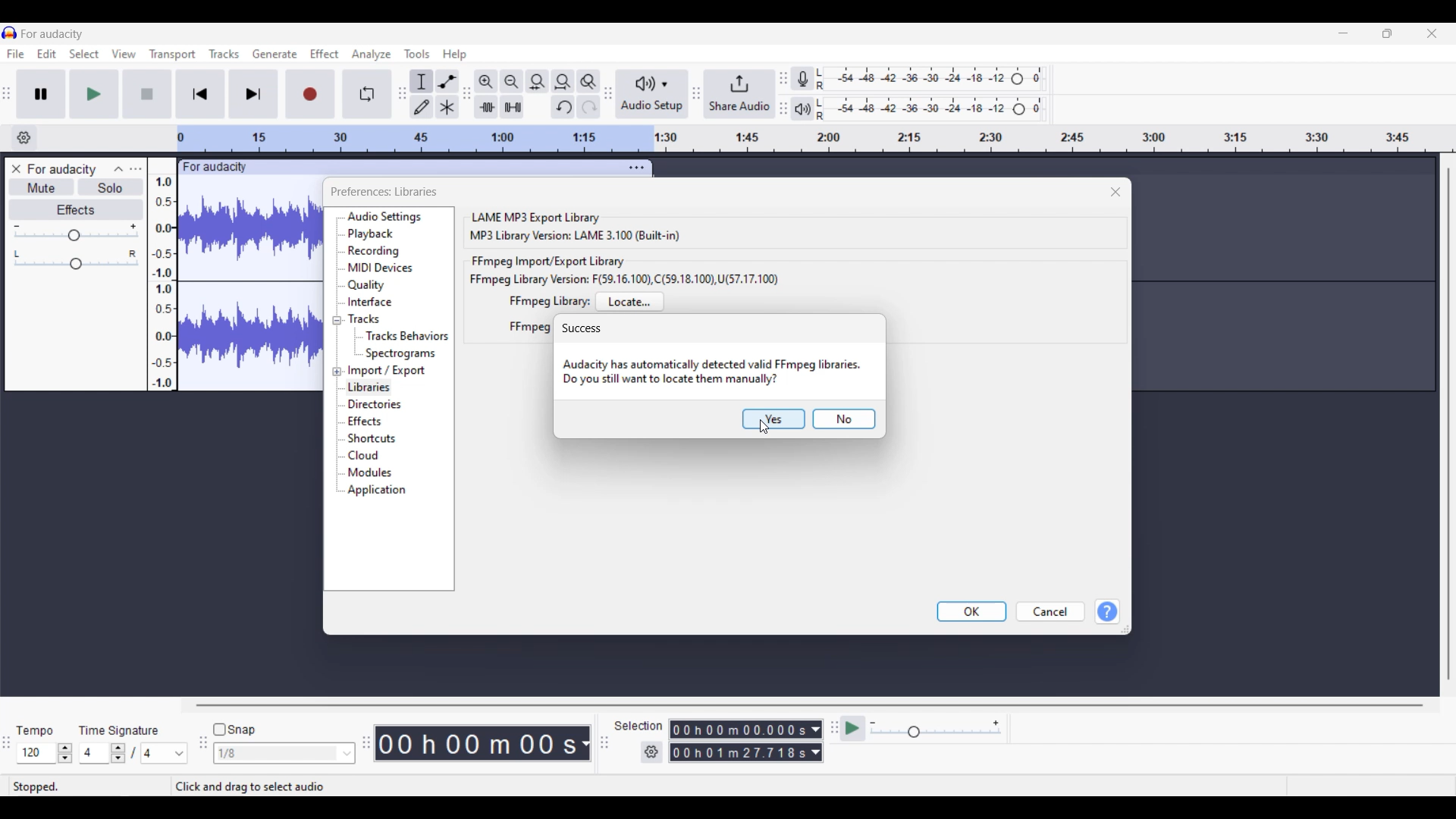 This screenshot has height=819, width=1456. What do you see at coordinates (375, 252) in the screenshot?
I see `Recording` at bounding box center [375, 252].